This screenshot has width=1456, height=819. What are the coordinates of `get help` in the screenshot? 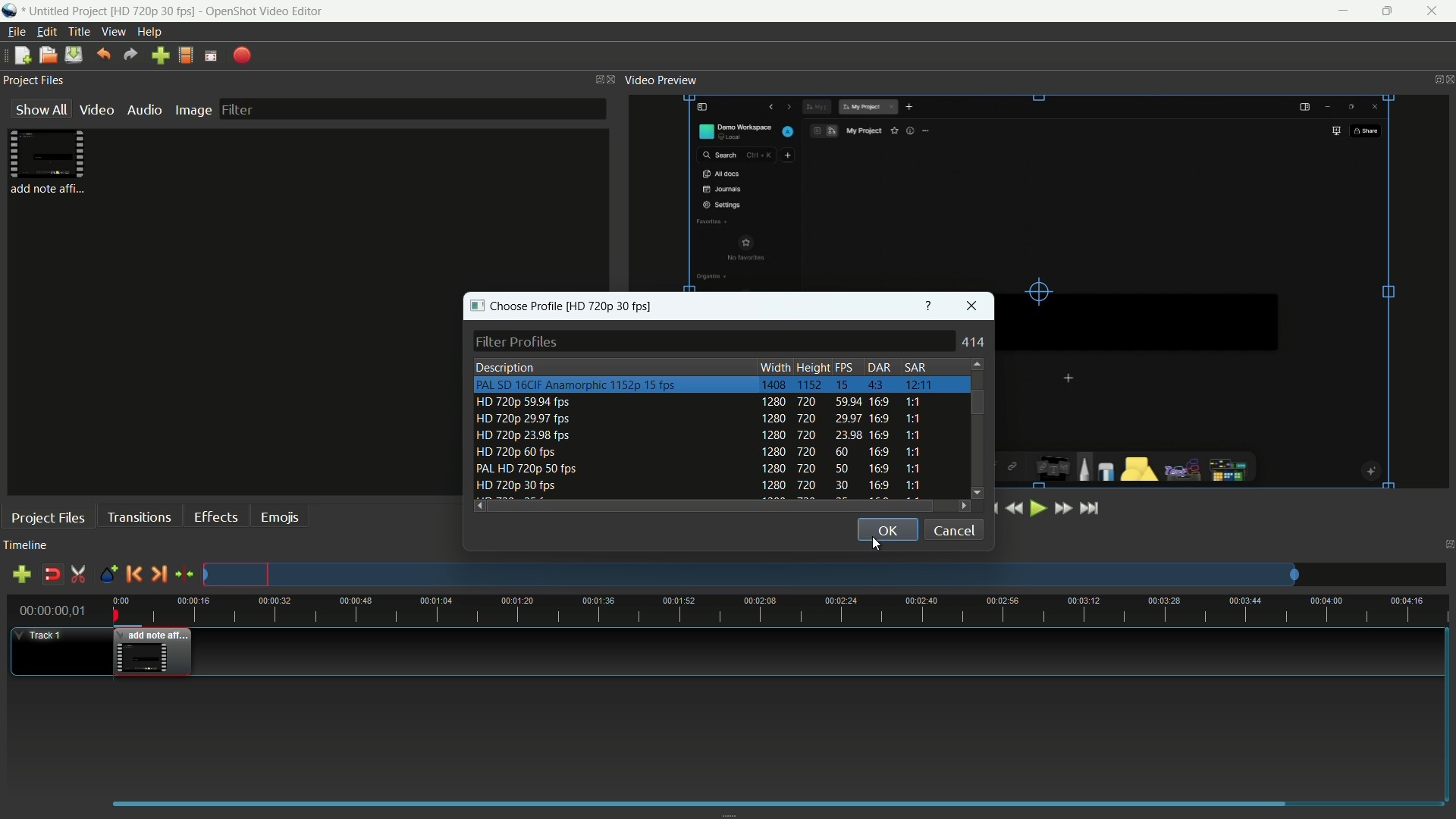 It's located at (930, 305).